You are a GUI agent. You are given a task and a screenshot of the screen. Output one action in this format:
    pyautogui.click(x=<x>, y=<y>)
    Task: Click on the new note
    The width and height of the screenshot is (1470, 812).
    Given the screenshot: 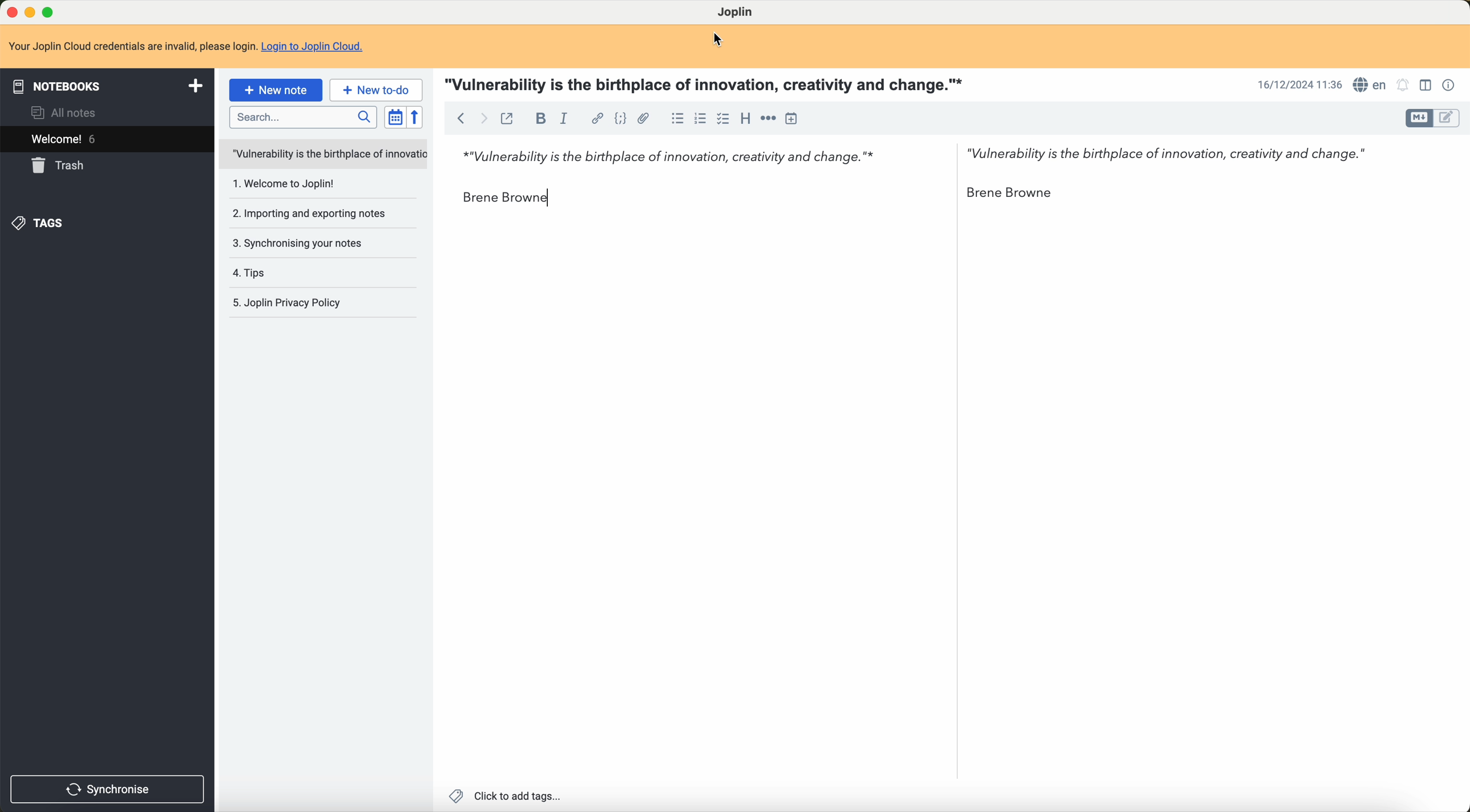 What is the action you would take?
    pyautogui.click(x=276, y=90)
    